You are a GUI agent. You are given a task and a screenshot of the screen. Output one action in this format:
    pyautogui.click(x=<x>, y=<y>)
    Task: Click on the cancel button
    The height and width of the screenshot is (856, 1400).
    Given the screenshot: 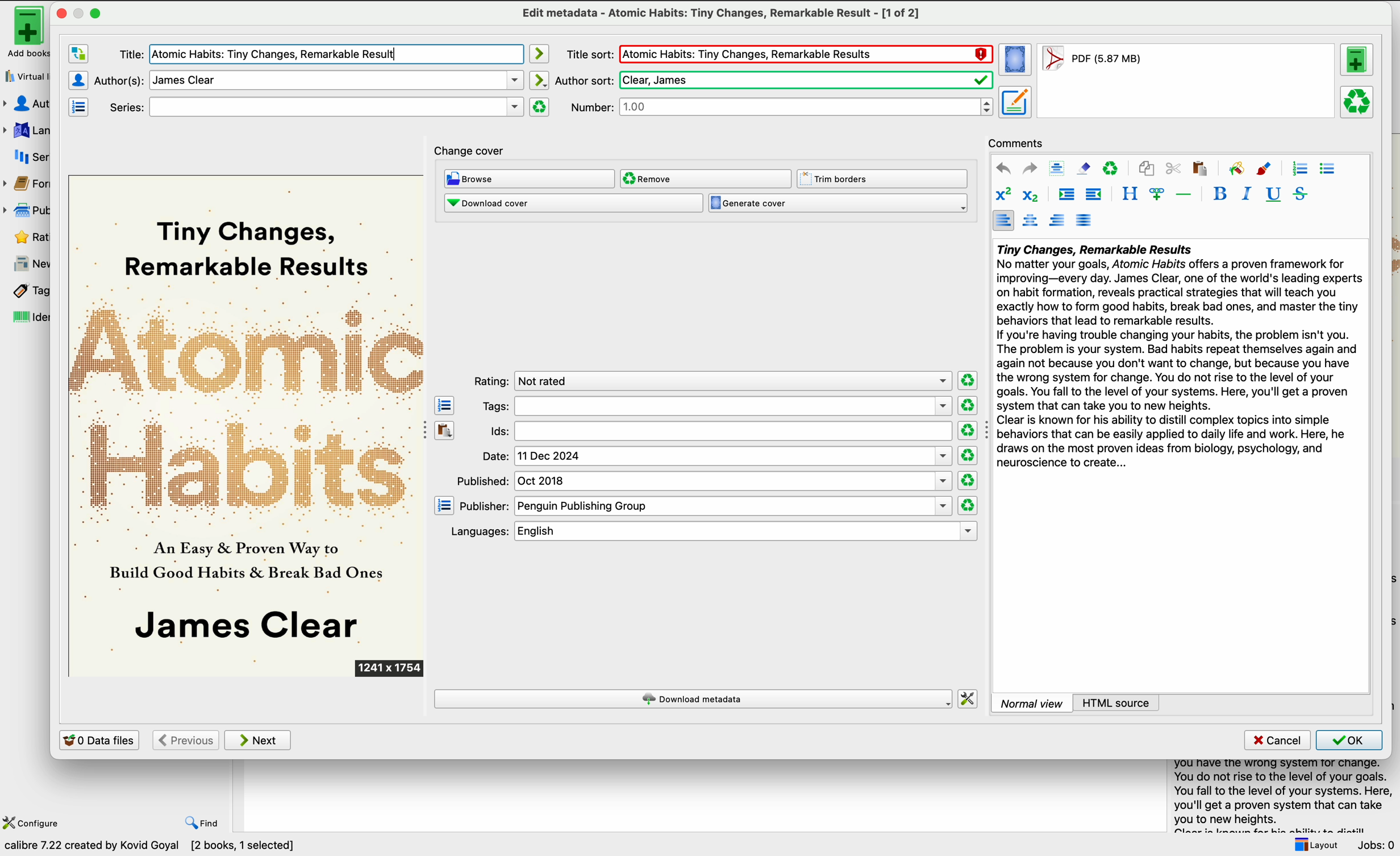 What is the action you would take?
    pyautogui.click(x=1276, y=741)
    